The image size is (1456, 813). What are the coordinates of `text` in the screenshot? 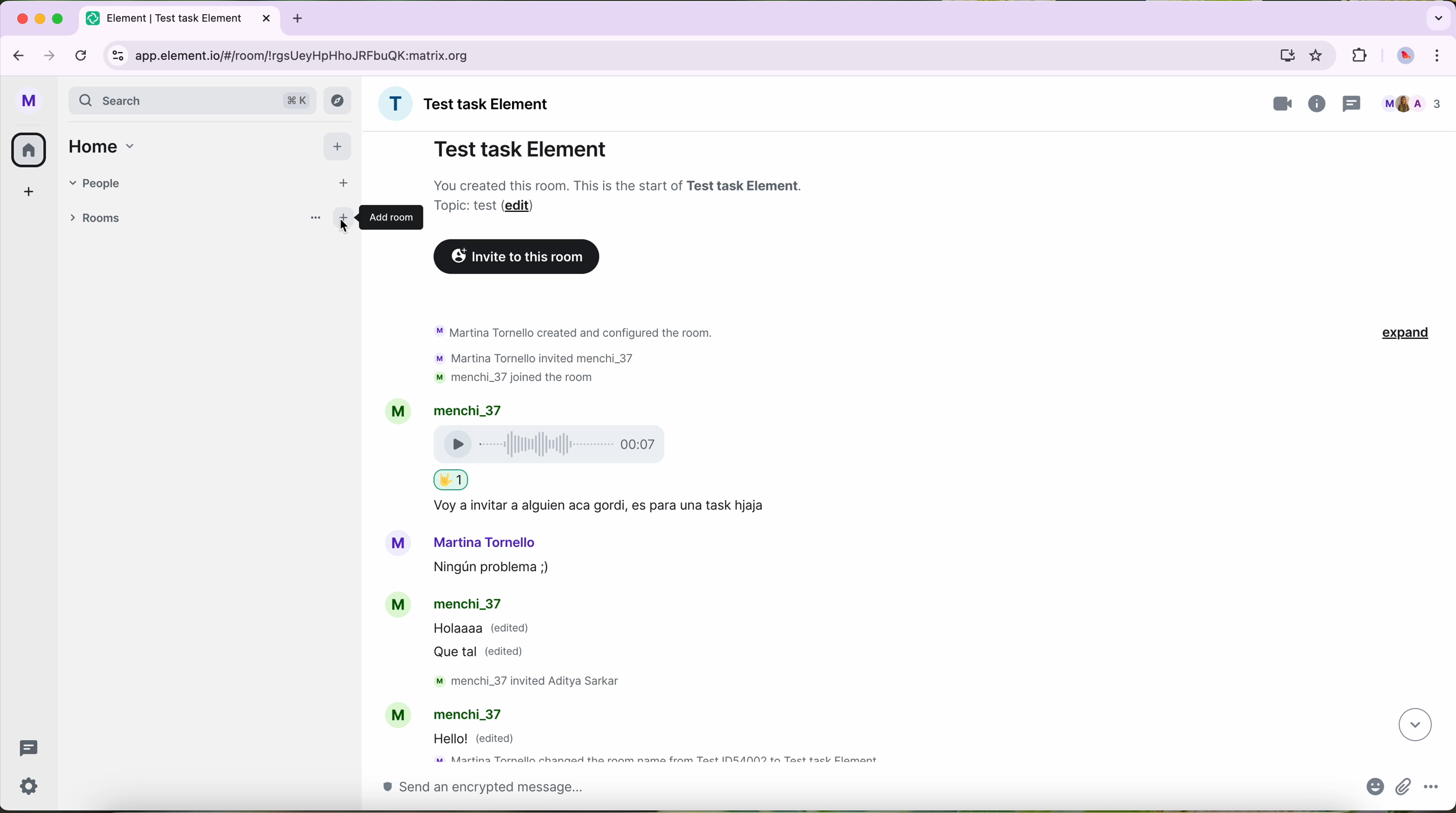 It's located at (452, 479).